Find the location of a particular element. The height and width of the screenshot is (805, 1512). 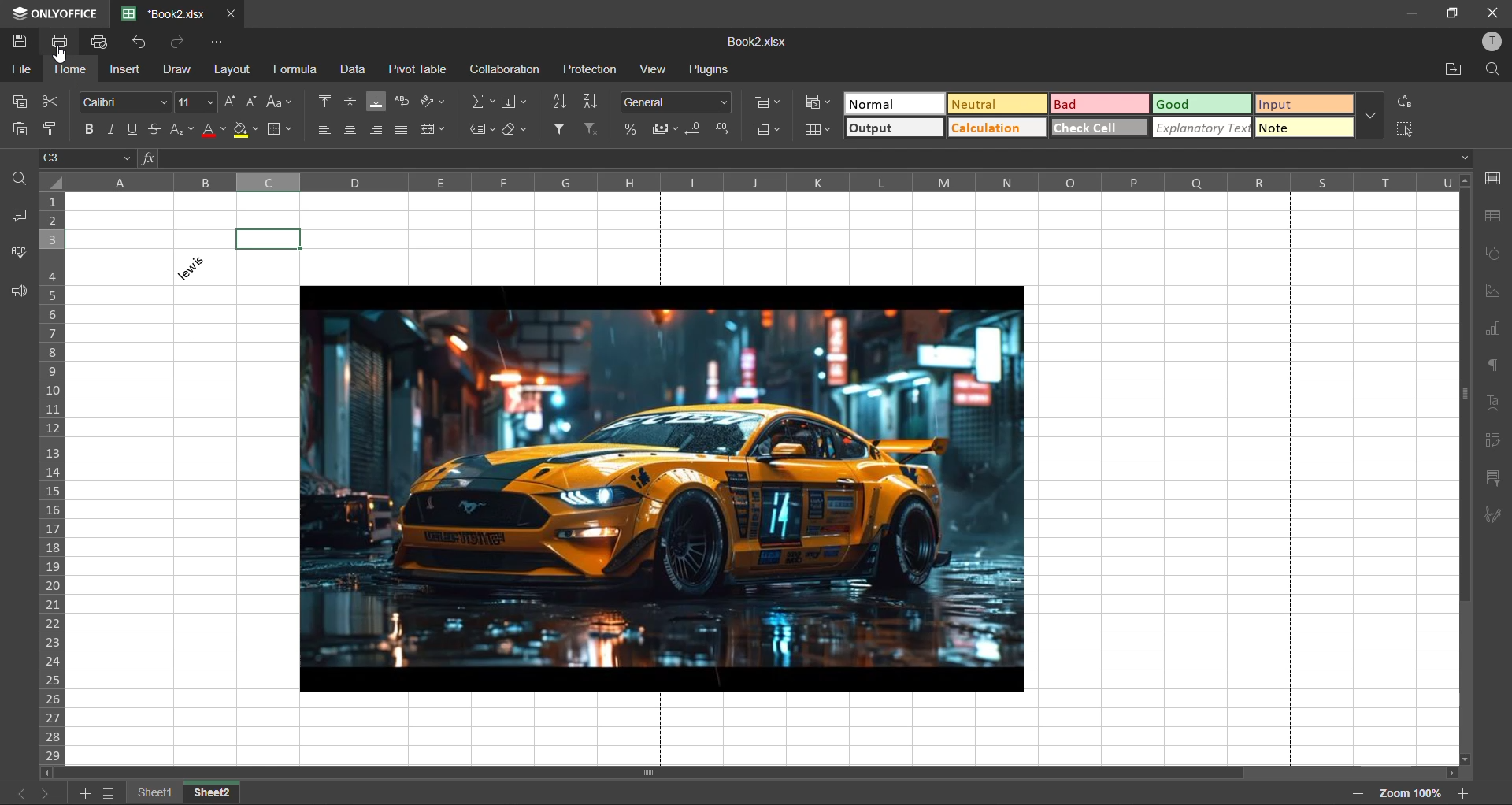

table is located at coordinates (1493, 218).